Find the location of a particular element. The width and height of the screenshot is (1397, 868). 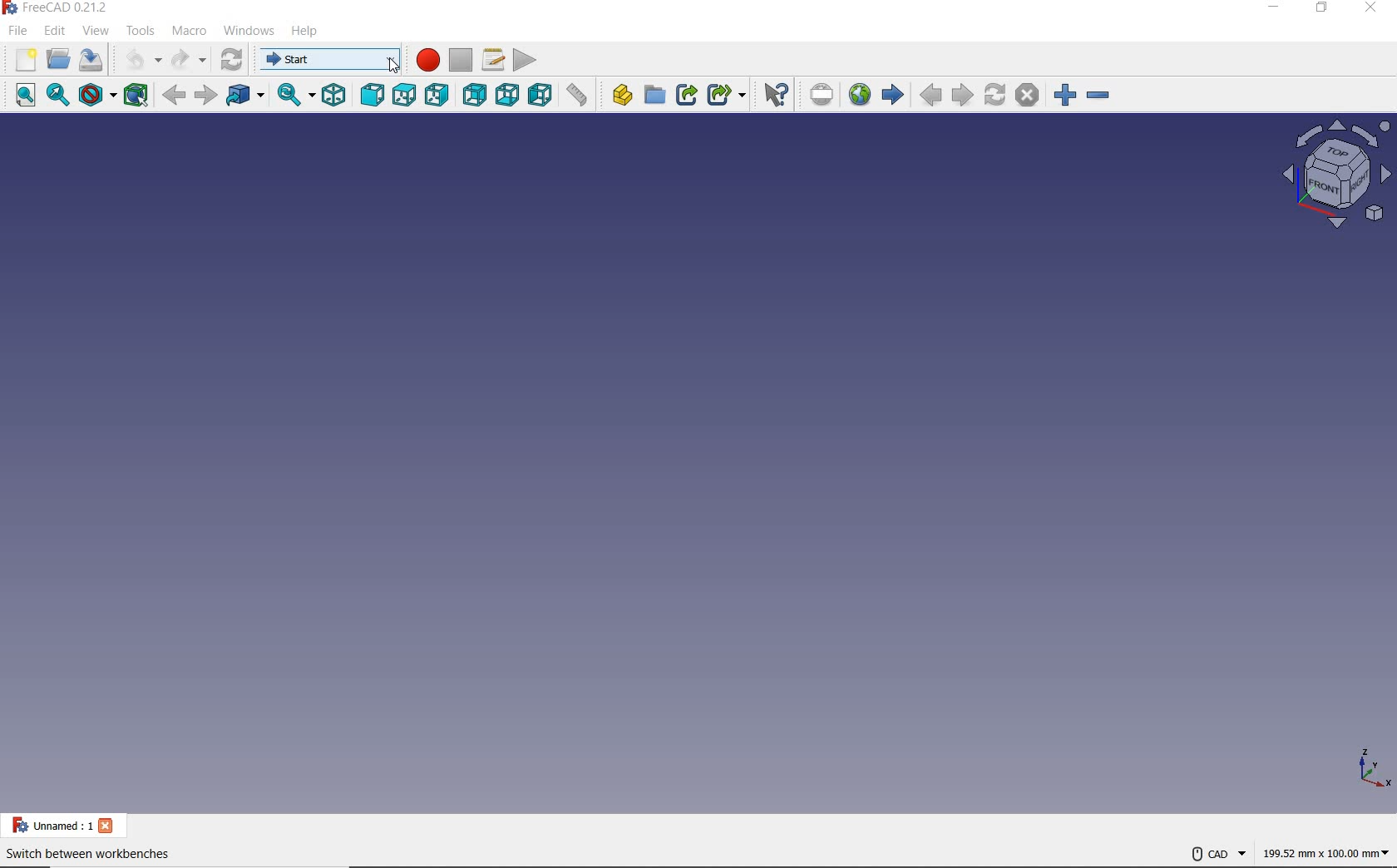

CAD NAVIGATION STYLE is located at coordinates (1219, 854).